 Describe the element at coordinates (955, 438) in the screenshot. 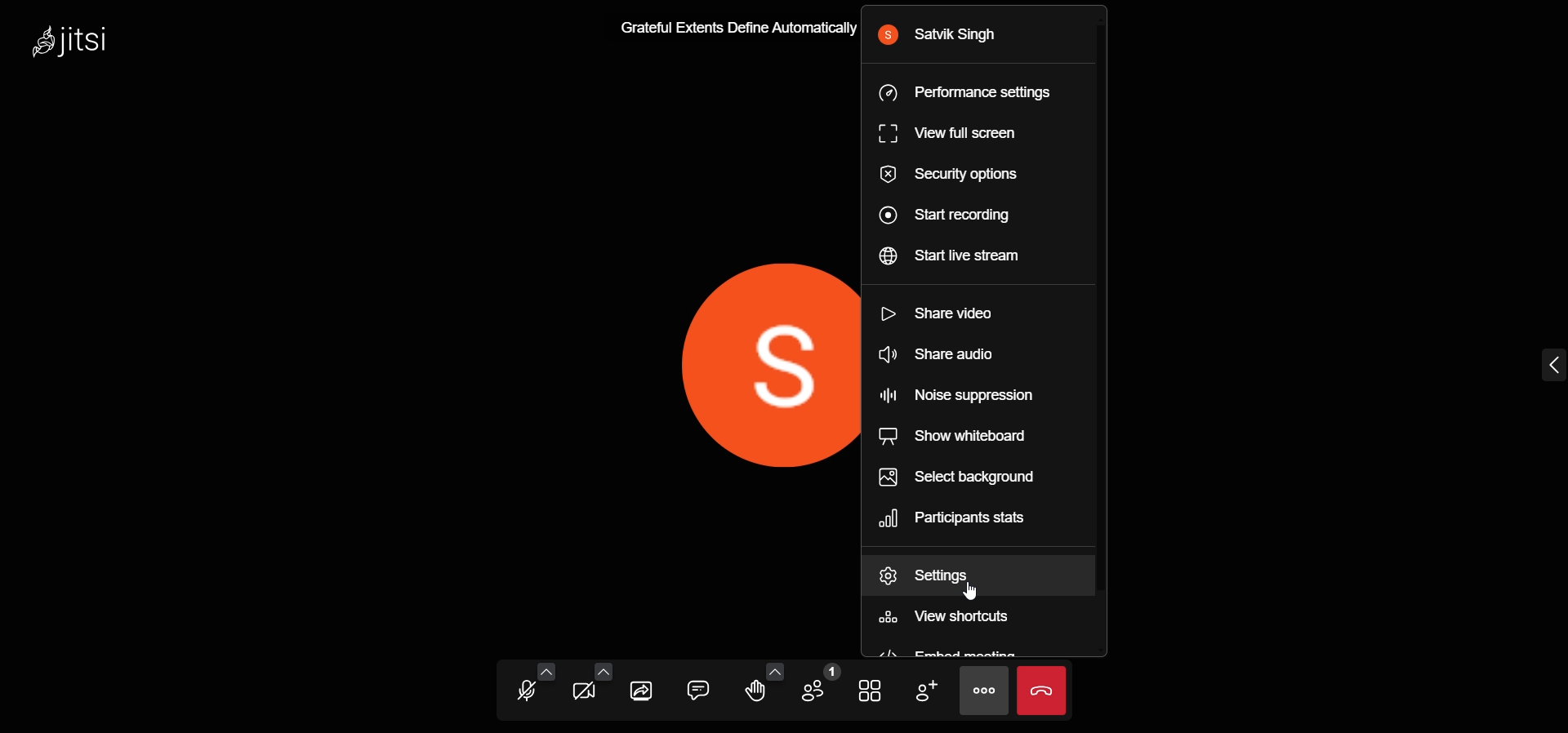

I see `show whiteboard` at that location.